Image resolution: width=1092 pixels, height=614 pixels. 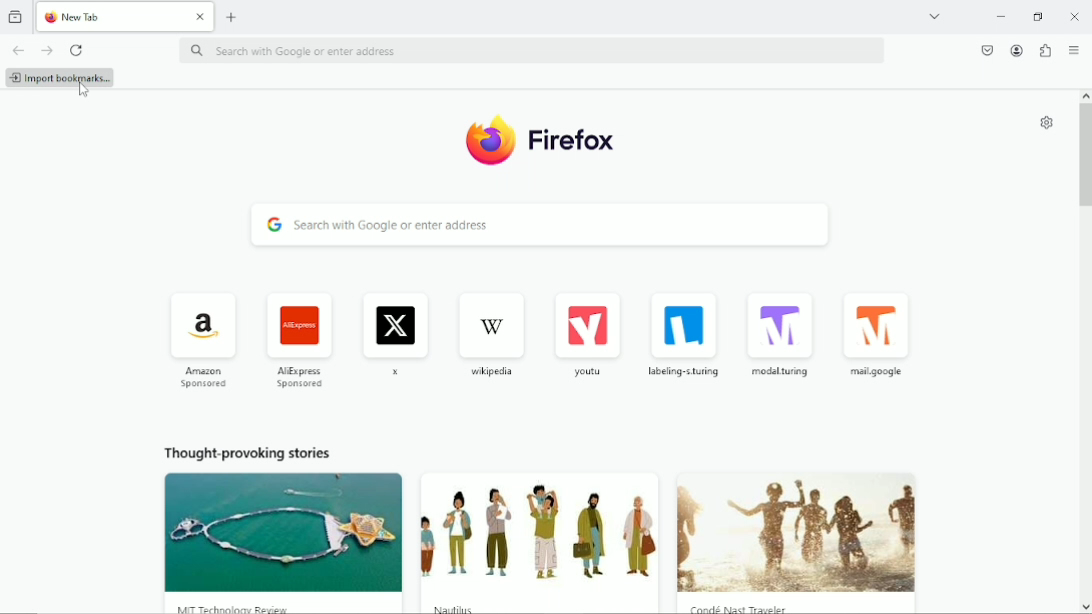 What do you see at coordinates (539, 543) in the screenshot?
I see `Thought provoking story` at bounding box center [539, 543].